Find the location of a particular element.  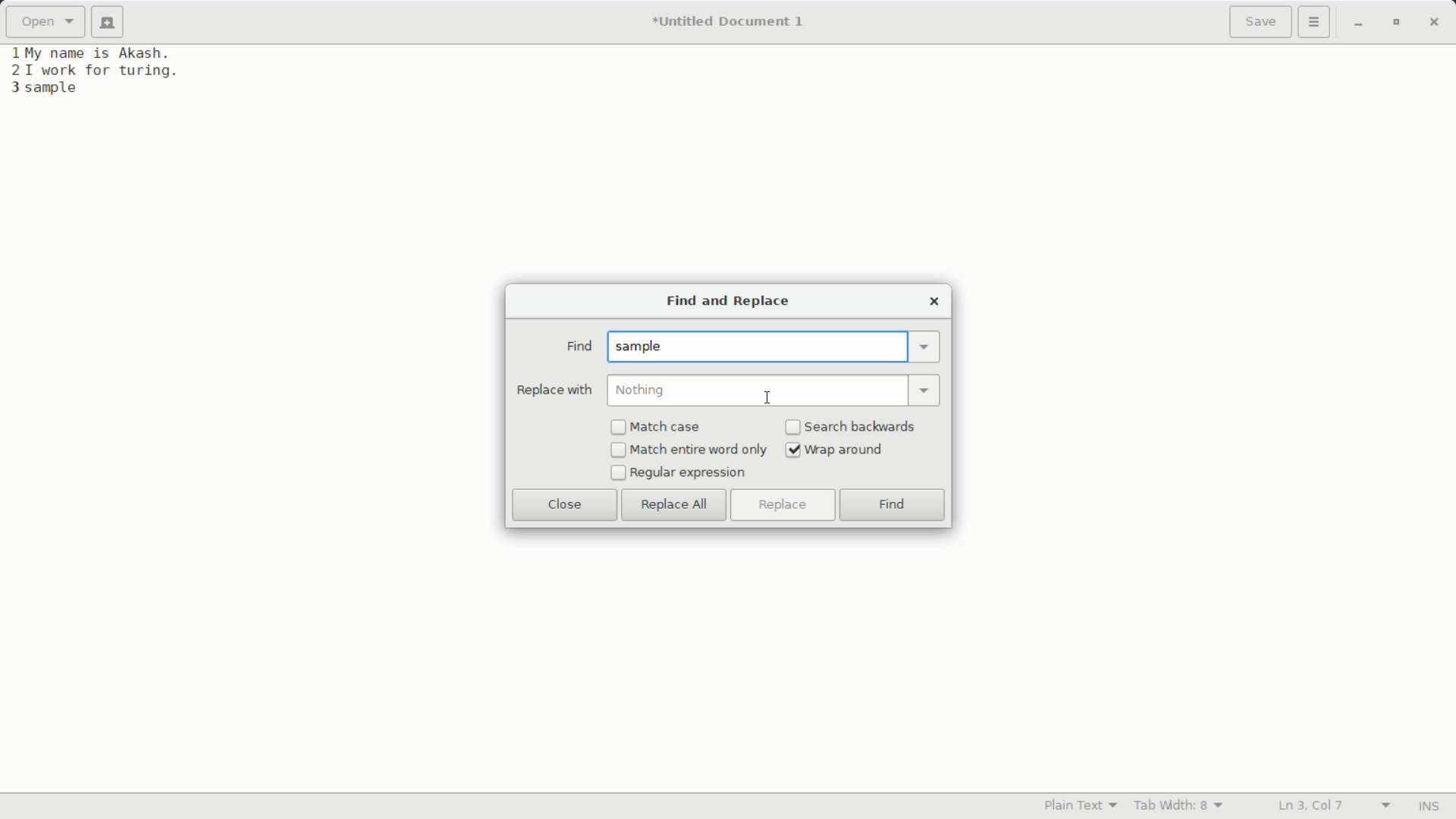

replace with is located at coordinates (554, 390).